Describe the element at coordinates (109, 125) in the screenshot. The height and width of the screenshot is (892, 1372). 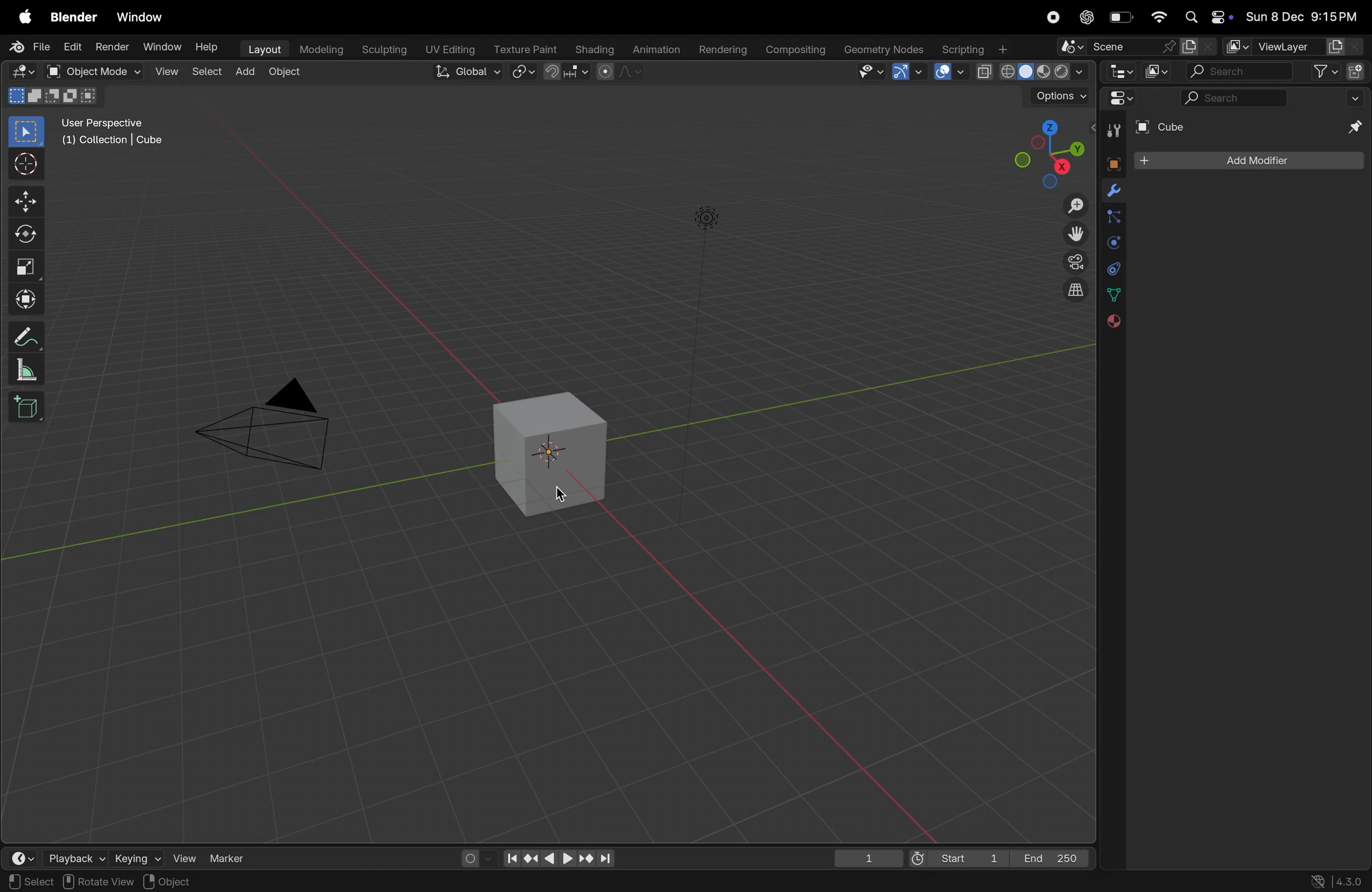
I see `use erception` at that location.